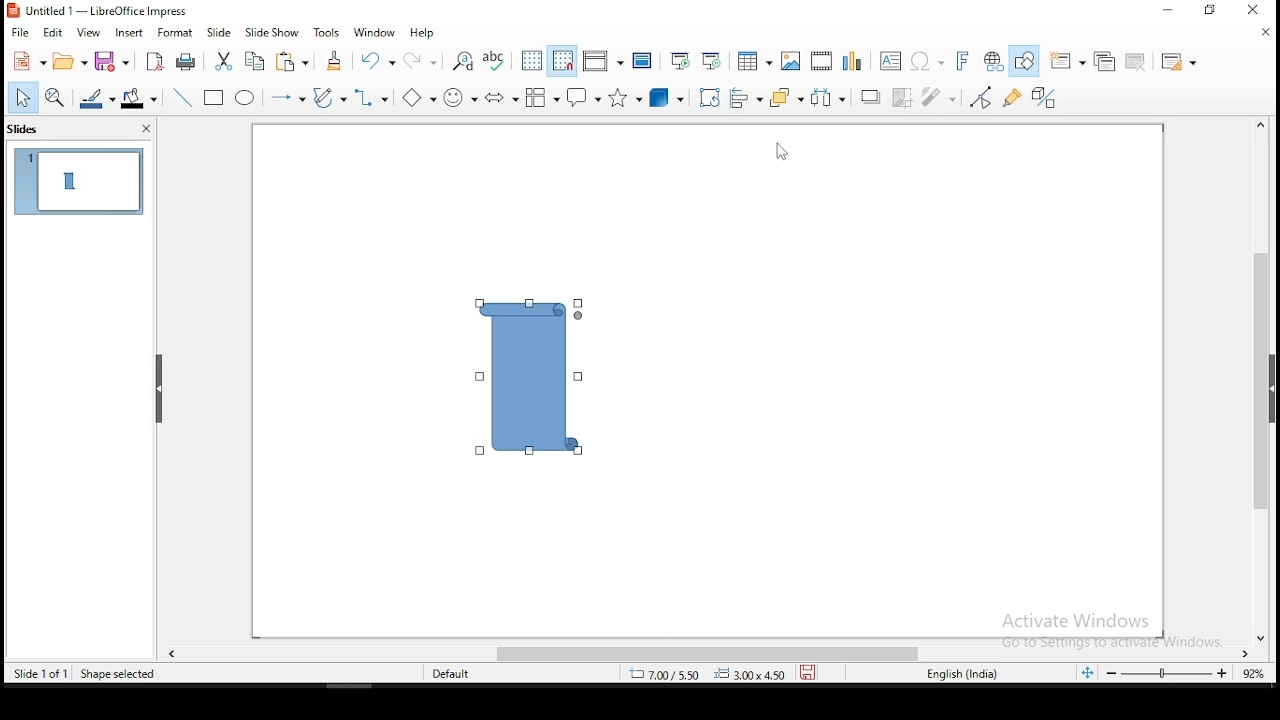  Describe the element at coordinates (928, 59) in the screenshot. I see `insert special characters` at that location.